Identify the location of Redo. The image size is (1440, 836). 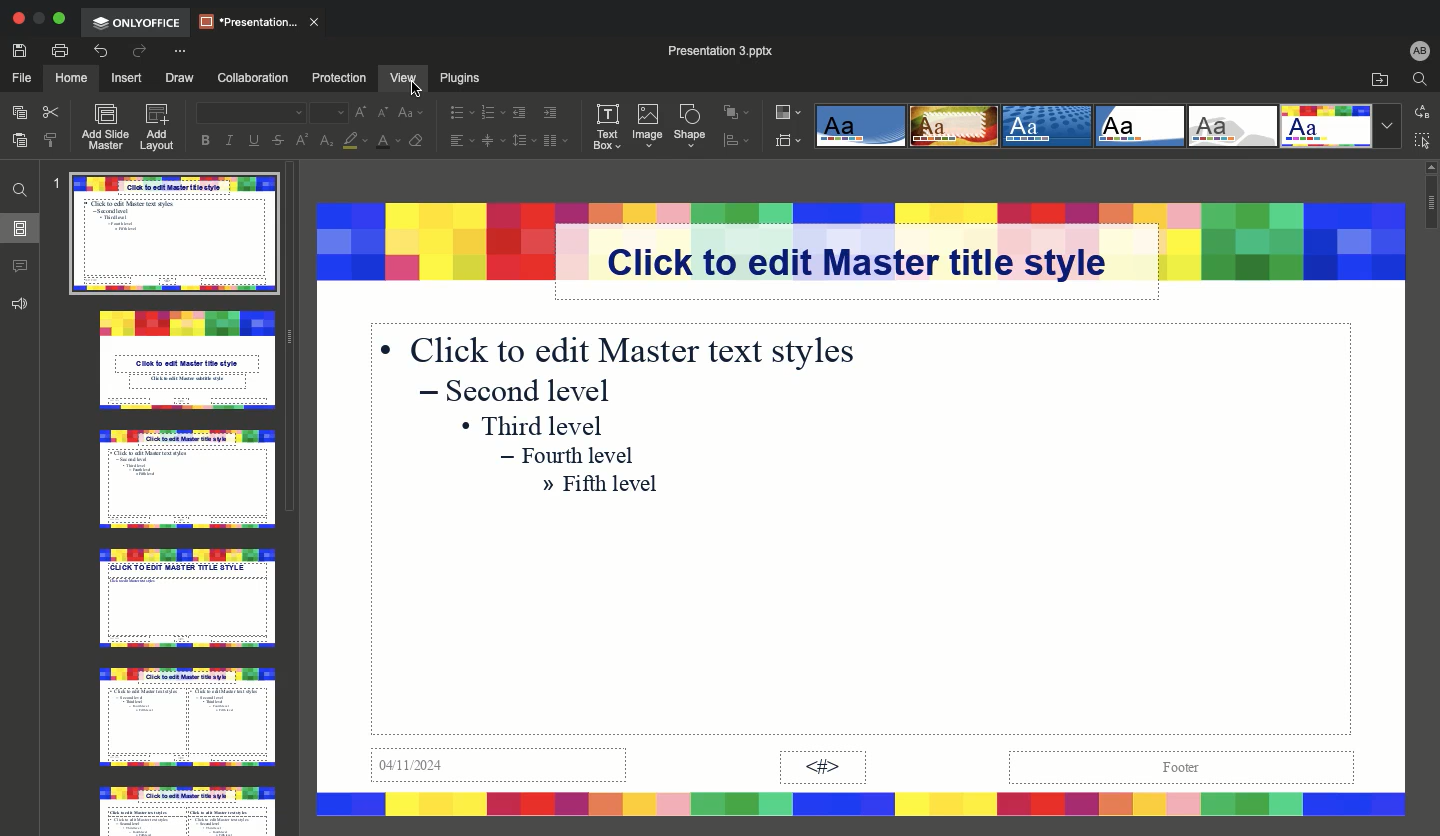
(137, 52).